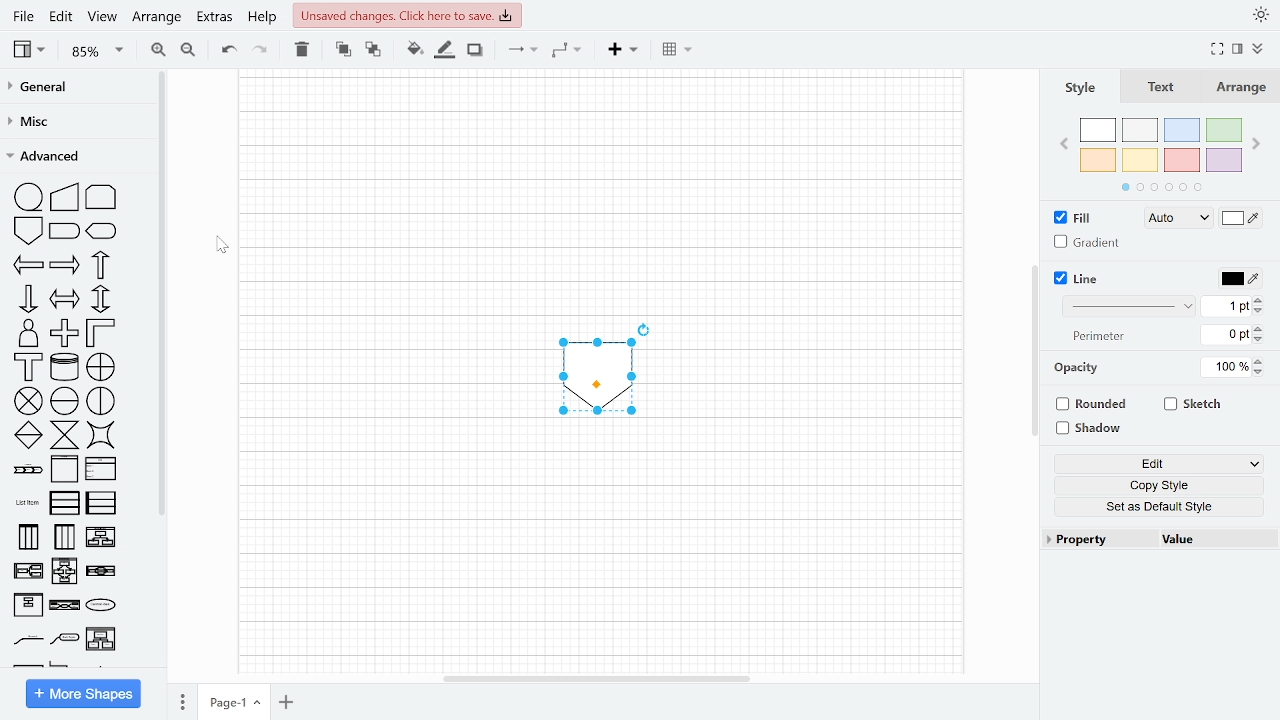  Describe the element at coordinates (182, 701) in the screenshot. I see `Pages` at that location.